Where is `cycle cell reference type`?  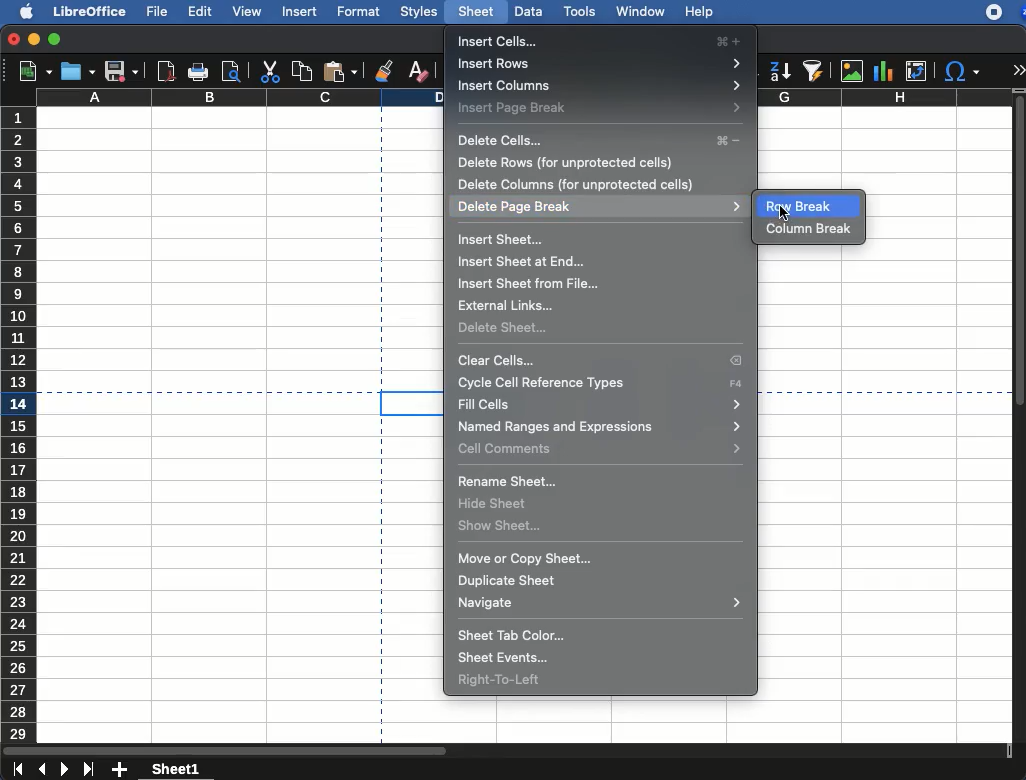 cycle cell reference type is located at coordinates (601, 383).